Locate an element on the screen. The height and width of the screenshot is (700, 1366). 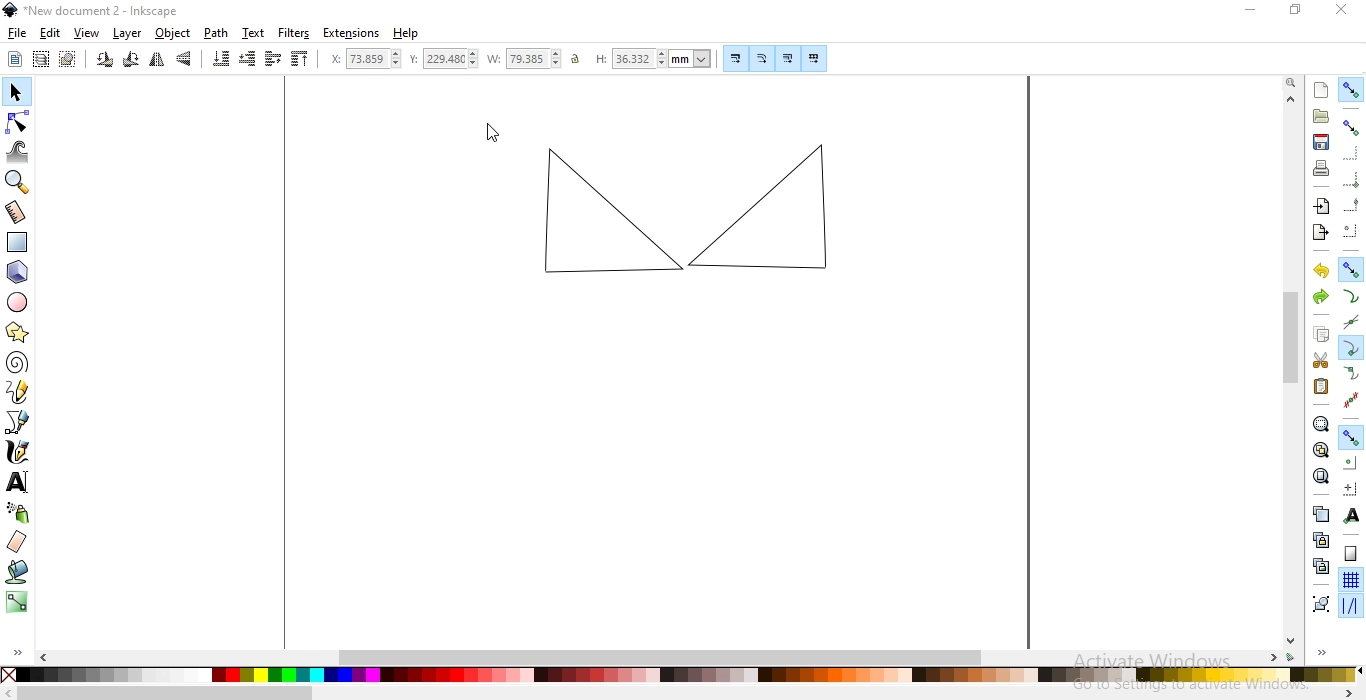
scrollbar is located at coordinates (671, 657).